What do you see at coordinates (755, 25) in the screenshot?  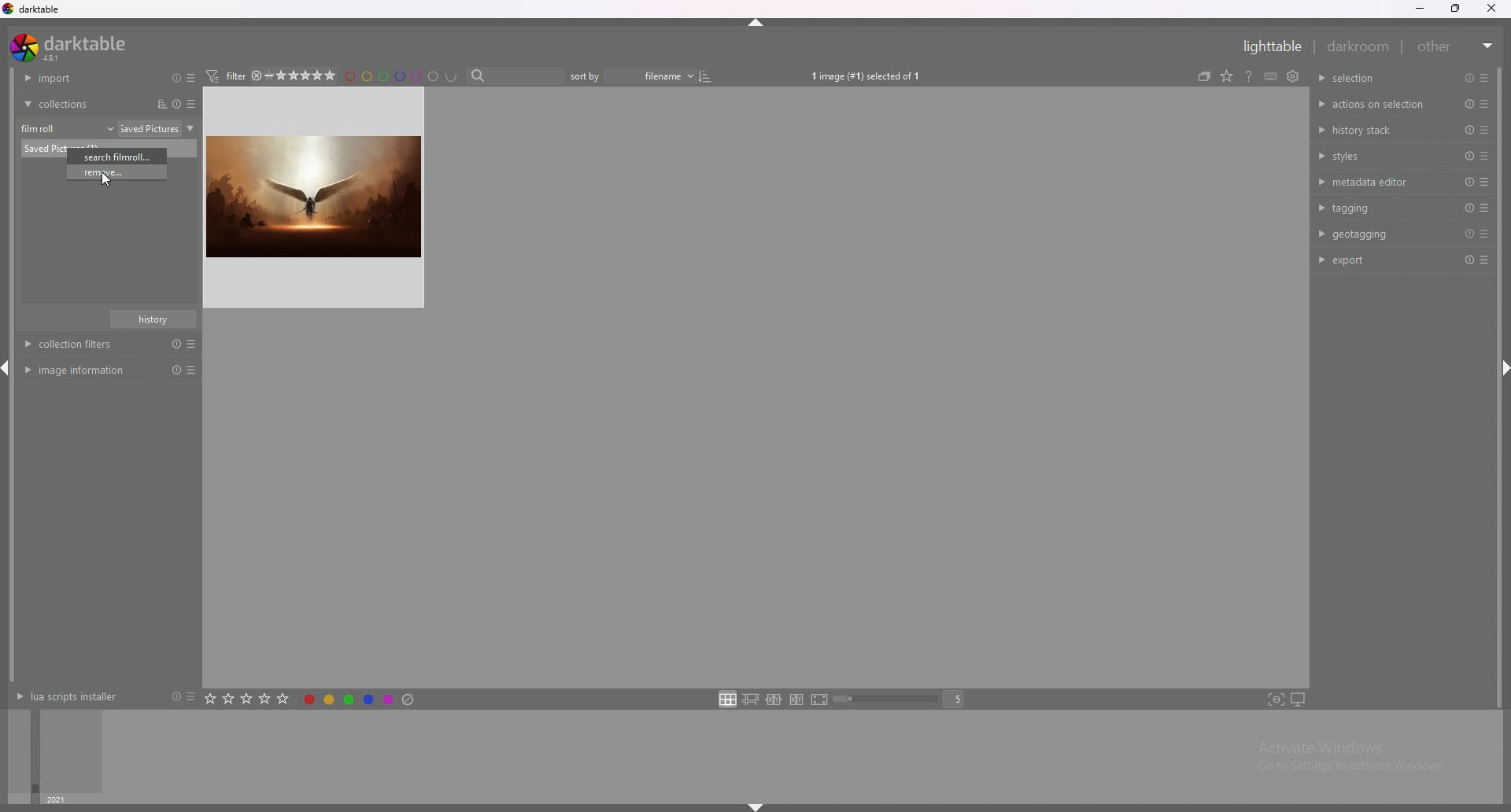 I see `hide` at bounding box center [755, 25].